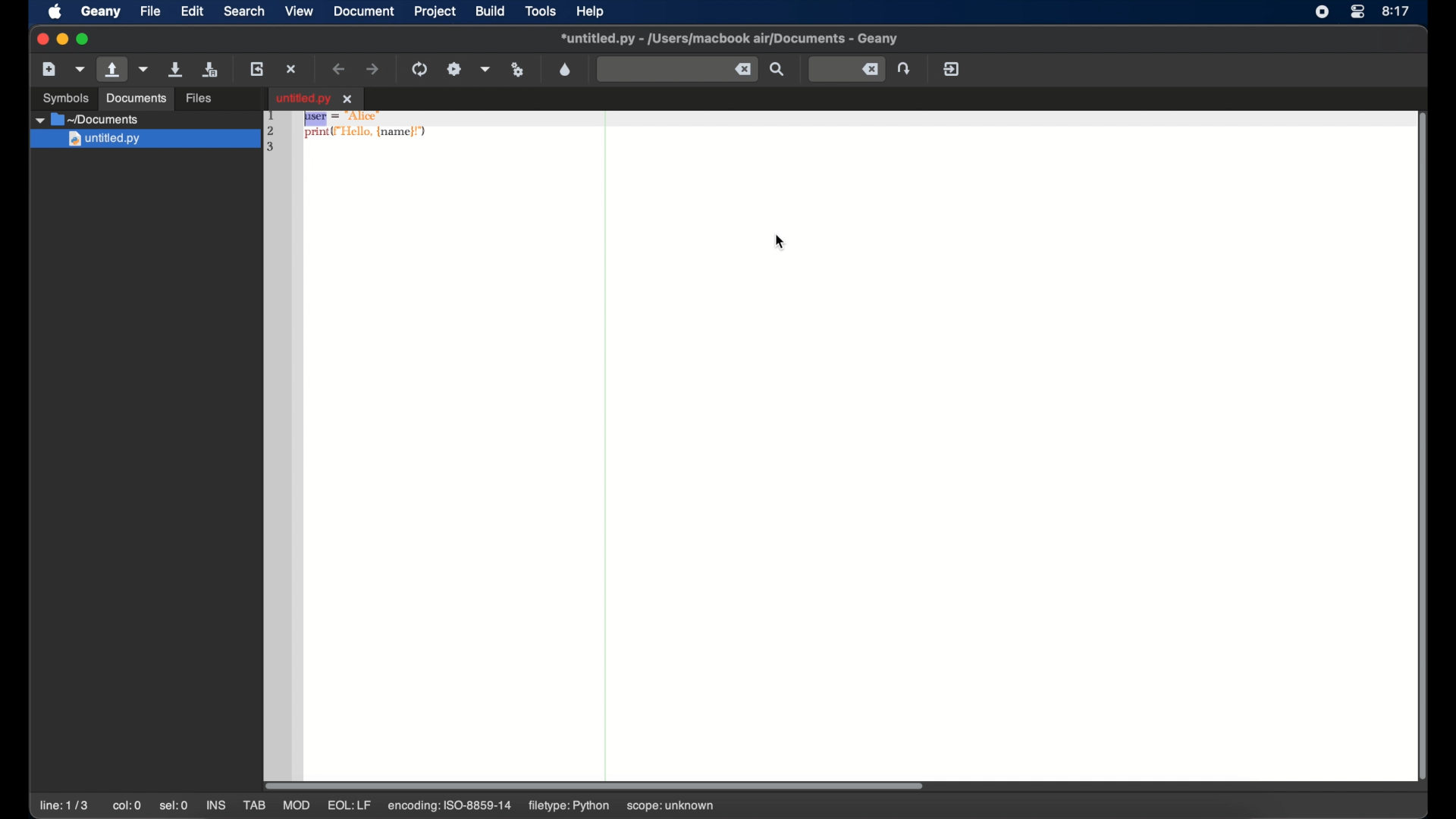 This screenshot has height=819, width=1456. What do you see at coordinates (317, 96) in the screenshot?
I see `tab` at bounding box center [317, 96].